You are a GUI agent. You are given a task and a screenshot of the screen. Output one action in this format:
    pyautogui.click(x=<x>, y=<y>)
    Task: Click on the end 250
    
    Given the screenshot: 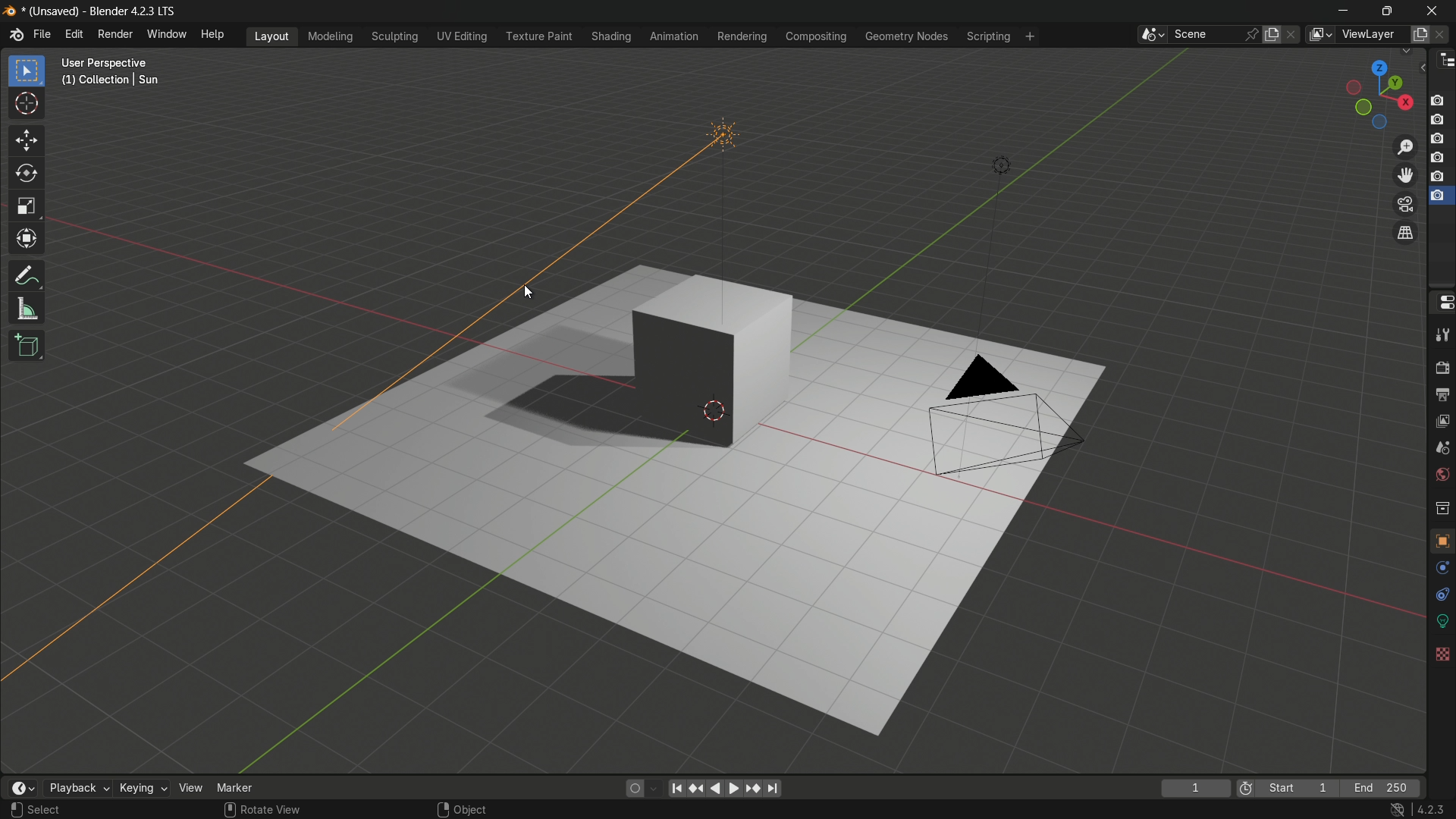 What is the action you would take?
    pyautogui.click(x=1385, y=787)
    